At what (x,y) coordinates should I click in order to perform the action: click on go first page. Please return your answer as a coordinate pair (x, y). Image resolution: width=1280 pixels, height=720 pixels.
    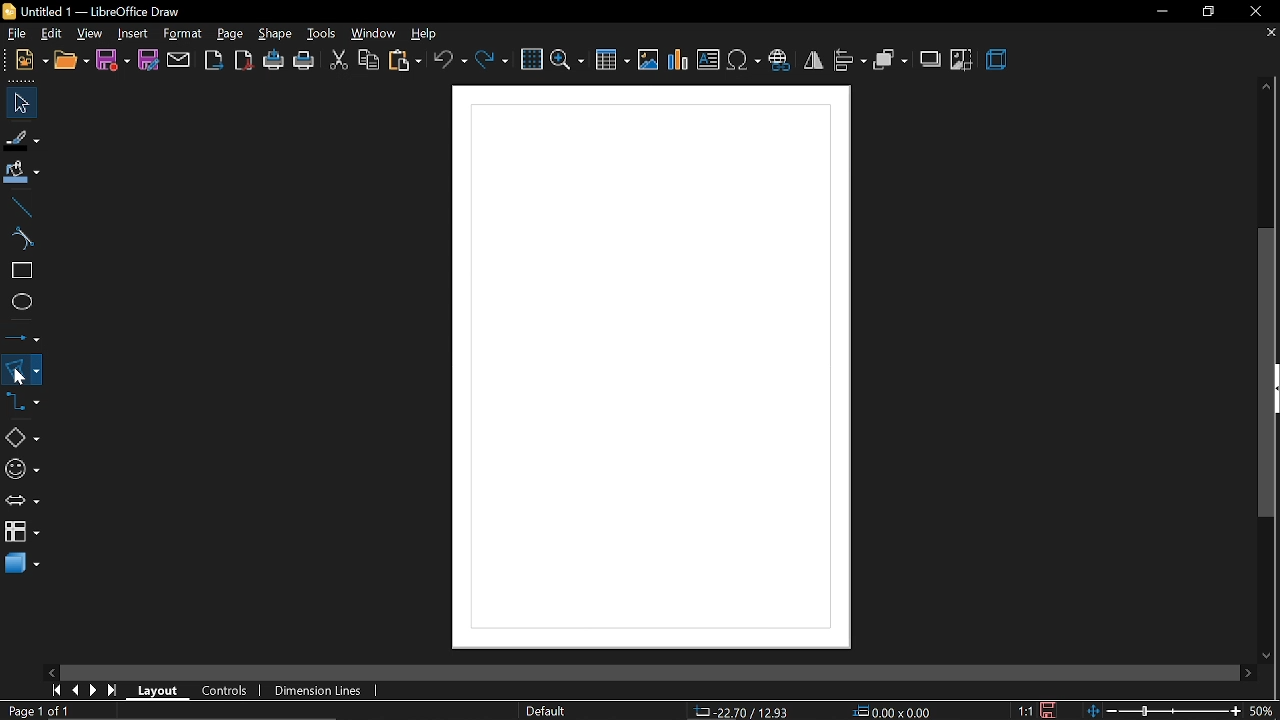
    Looking at the image, I should click on (56, 690).